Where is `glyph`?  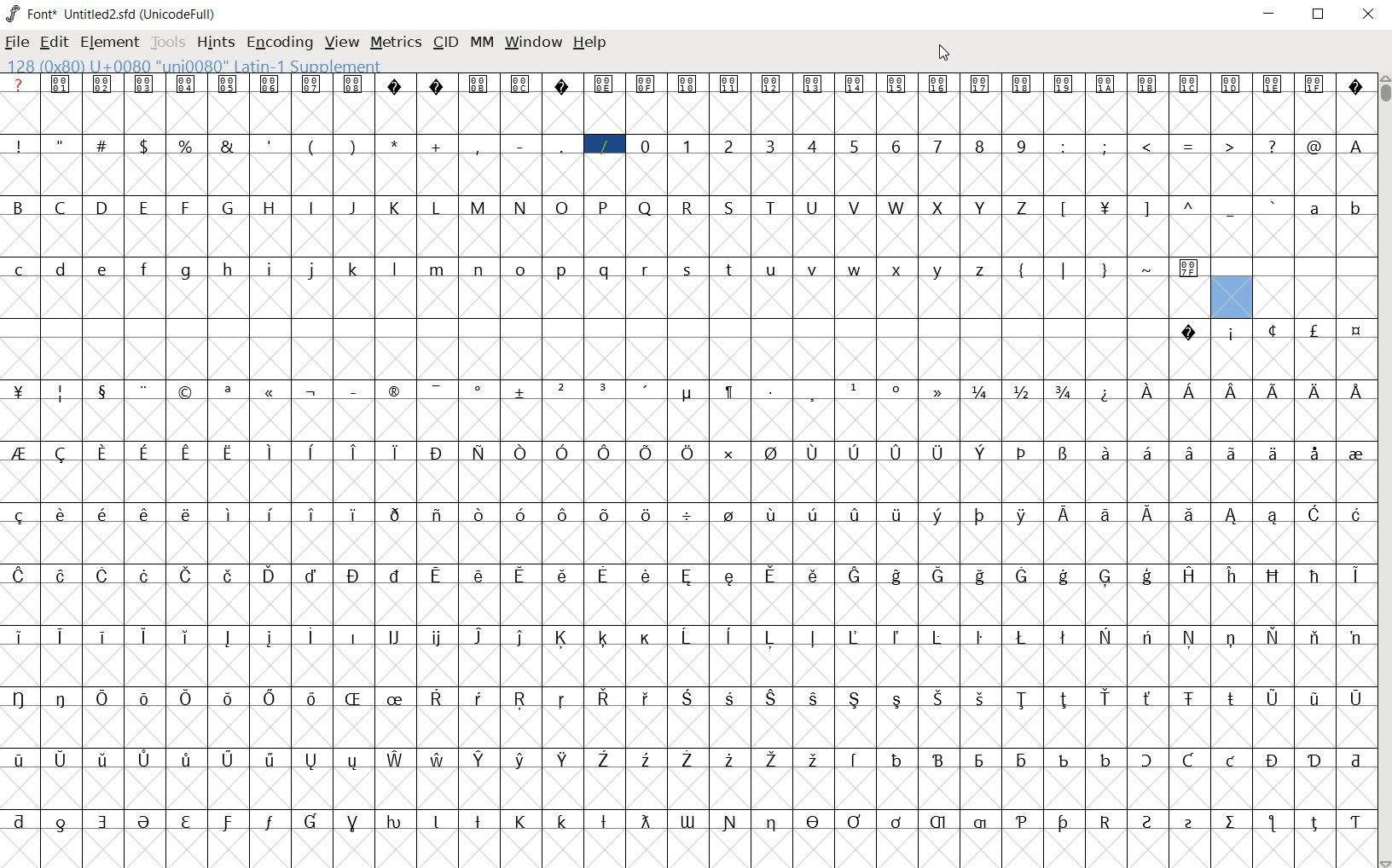
glyph is located at coordinates (687, 516).